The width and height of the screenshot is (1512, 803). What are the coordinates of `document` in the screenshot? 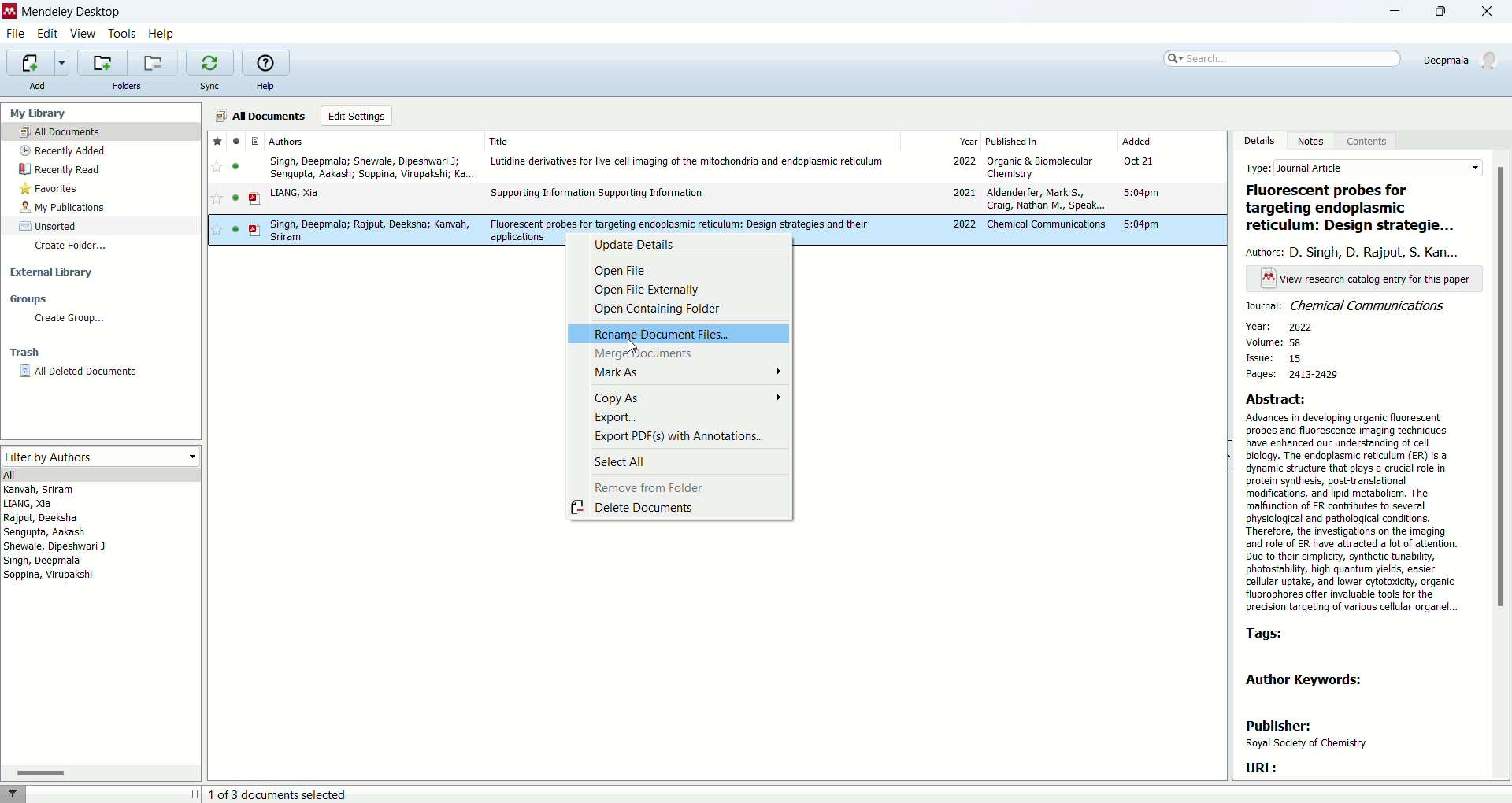 It's located at (254, 198).